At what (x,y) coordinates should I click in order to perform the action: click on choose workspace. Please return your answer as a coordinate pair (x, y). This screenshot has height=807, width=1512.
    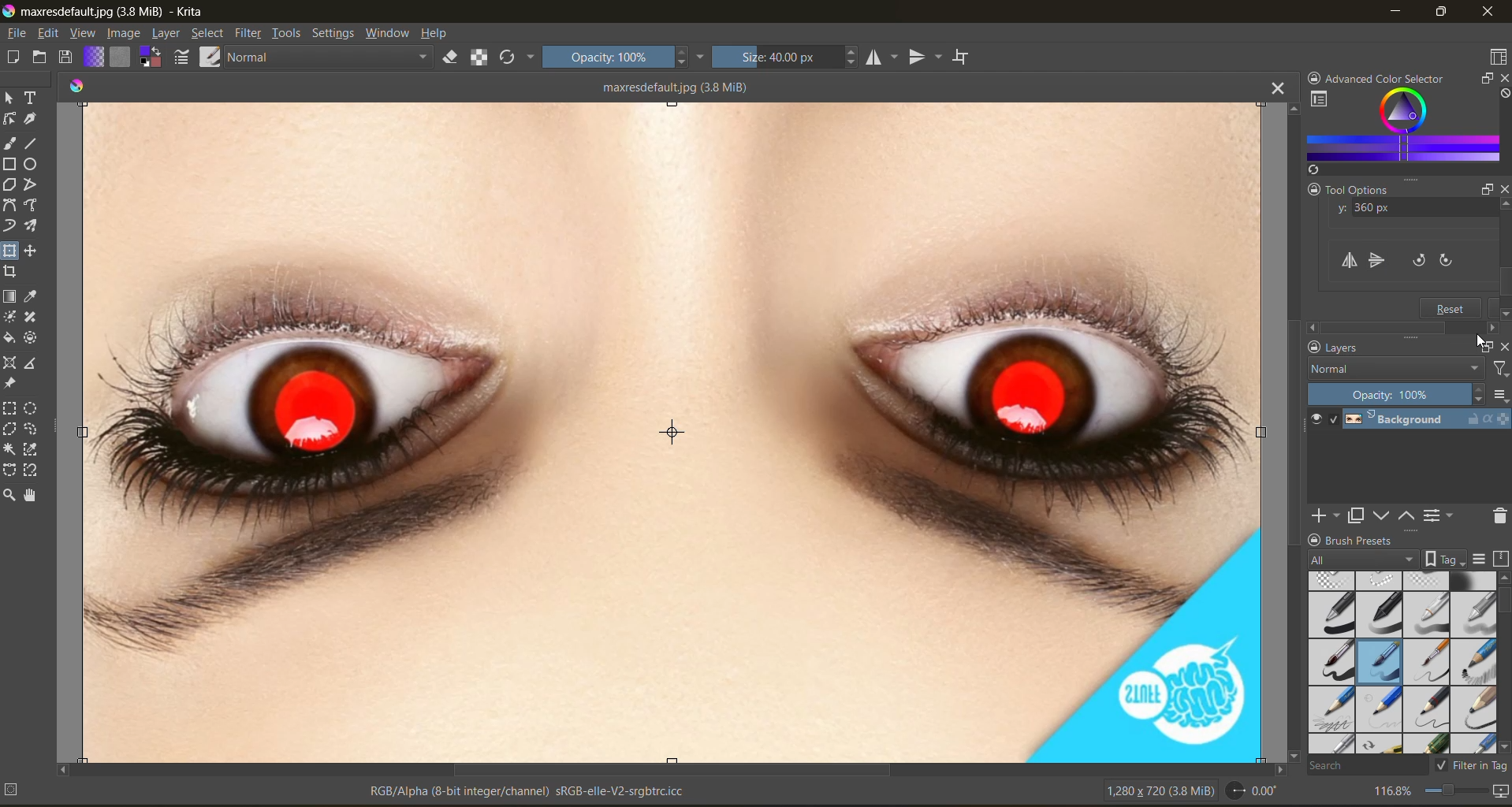
    Looking at the image, I should click on (1498, 57).